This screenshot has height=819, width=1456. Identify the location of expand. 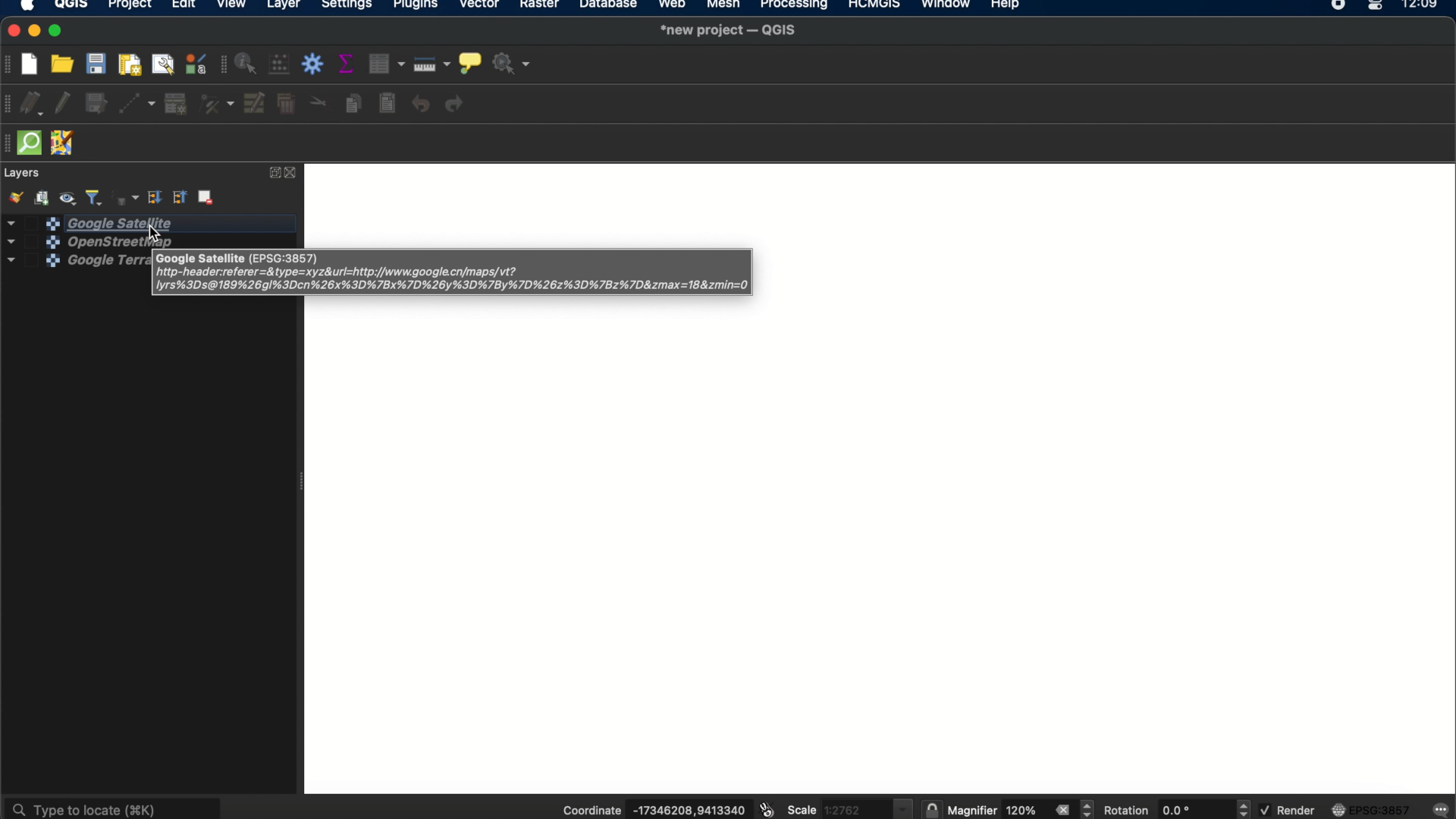
(272, 173).